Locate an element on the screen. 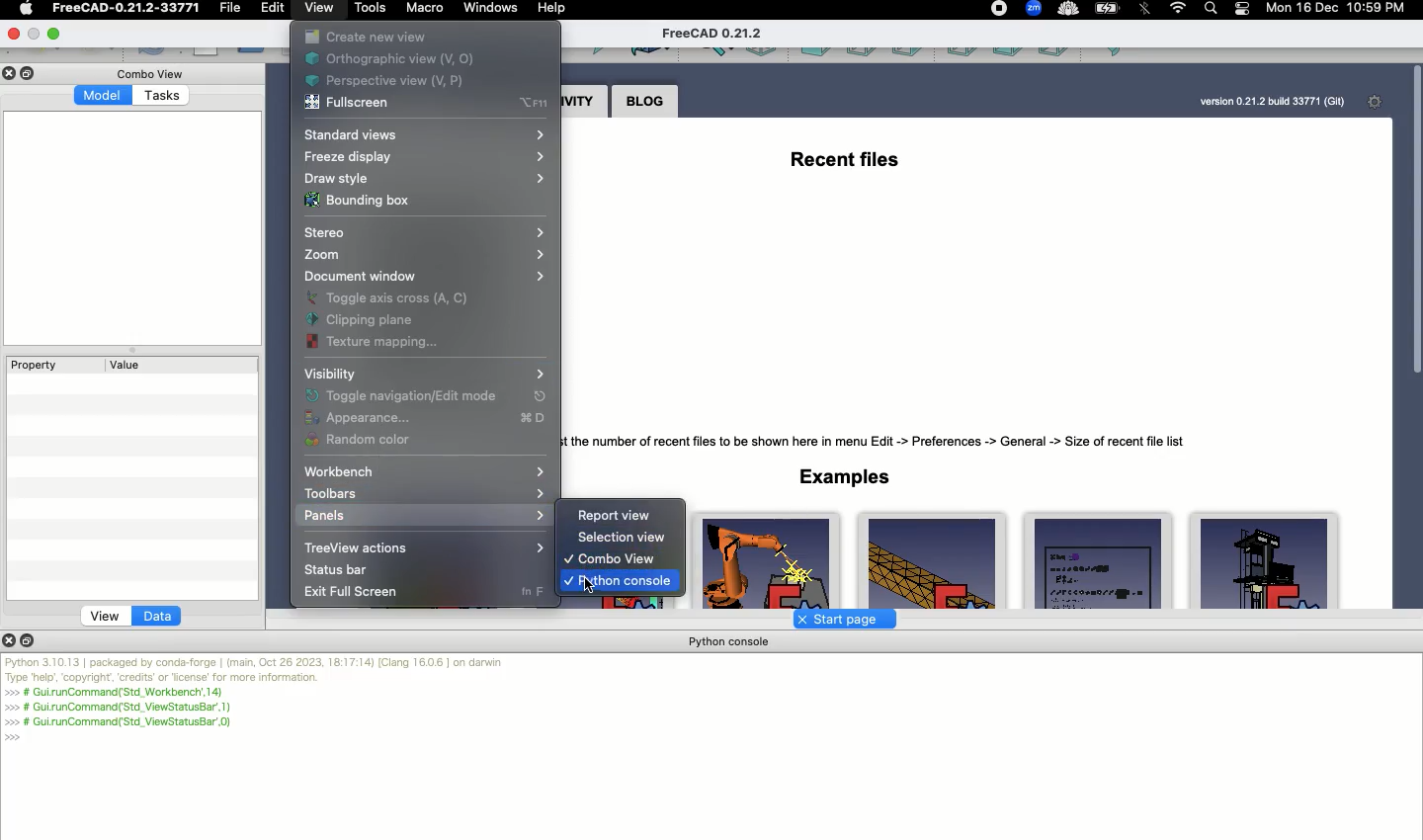 This screenshot has height=840, width=1423. Value is located at coordinates (127, 365).